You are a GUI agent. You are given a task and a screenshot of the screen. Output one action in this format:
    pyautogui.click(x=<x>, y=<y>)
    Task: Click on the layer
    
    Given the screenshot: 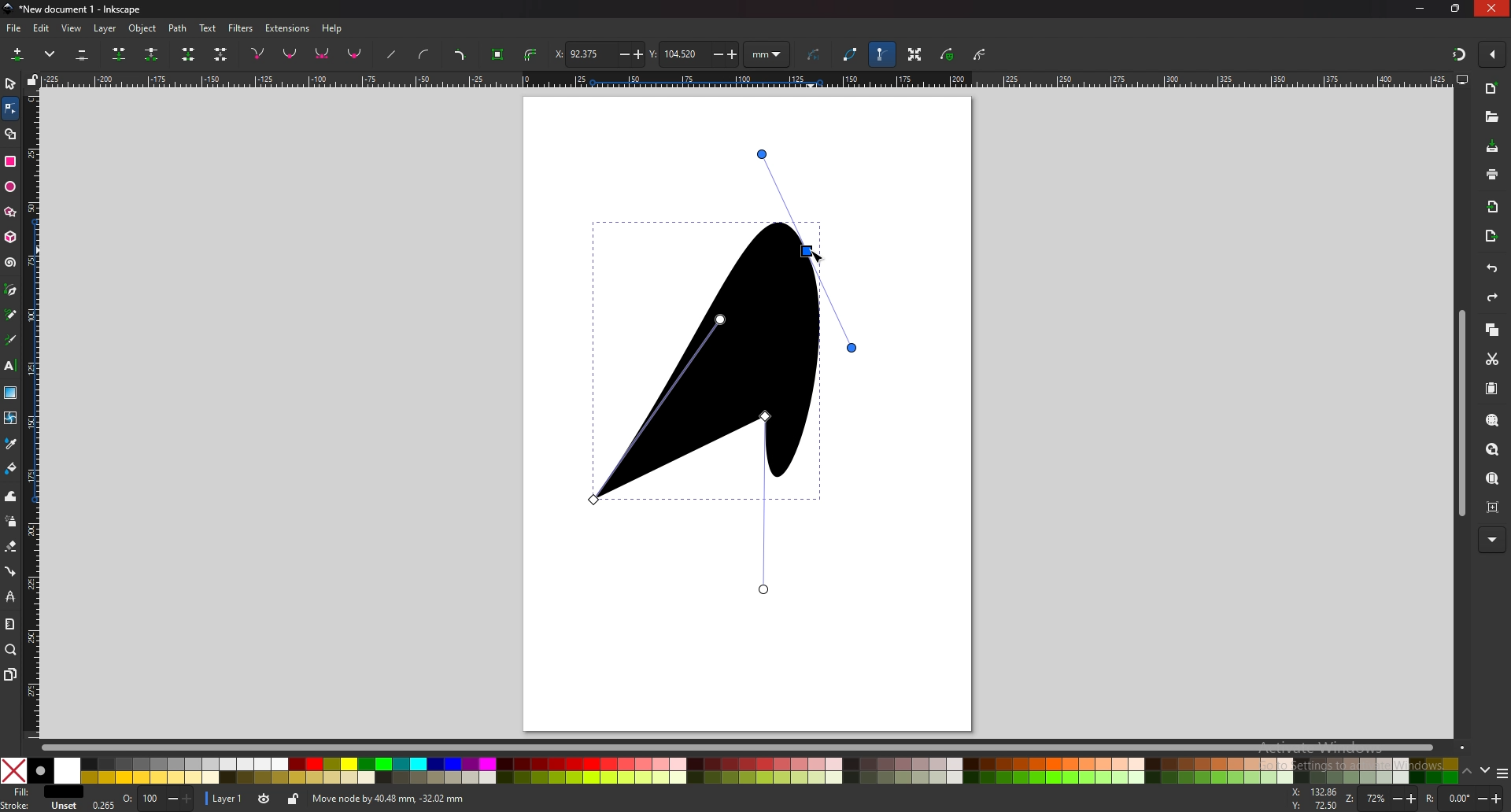 What is the action you would take?
    pyautogui.click(x=105, y=29)
    